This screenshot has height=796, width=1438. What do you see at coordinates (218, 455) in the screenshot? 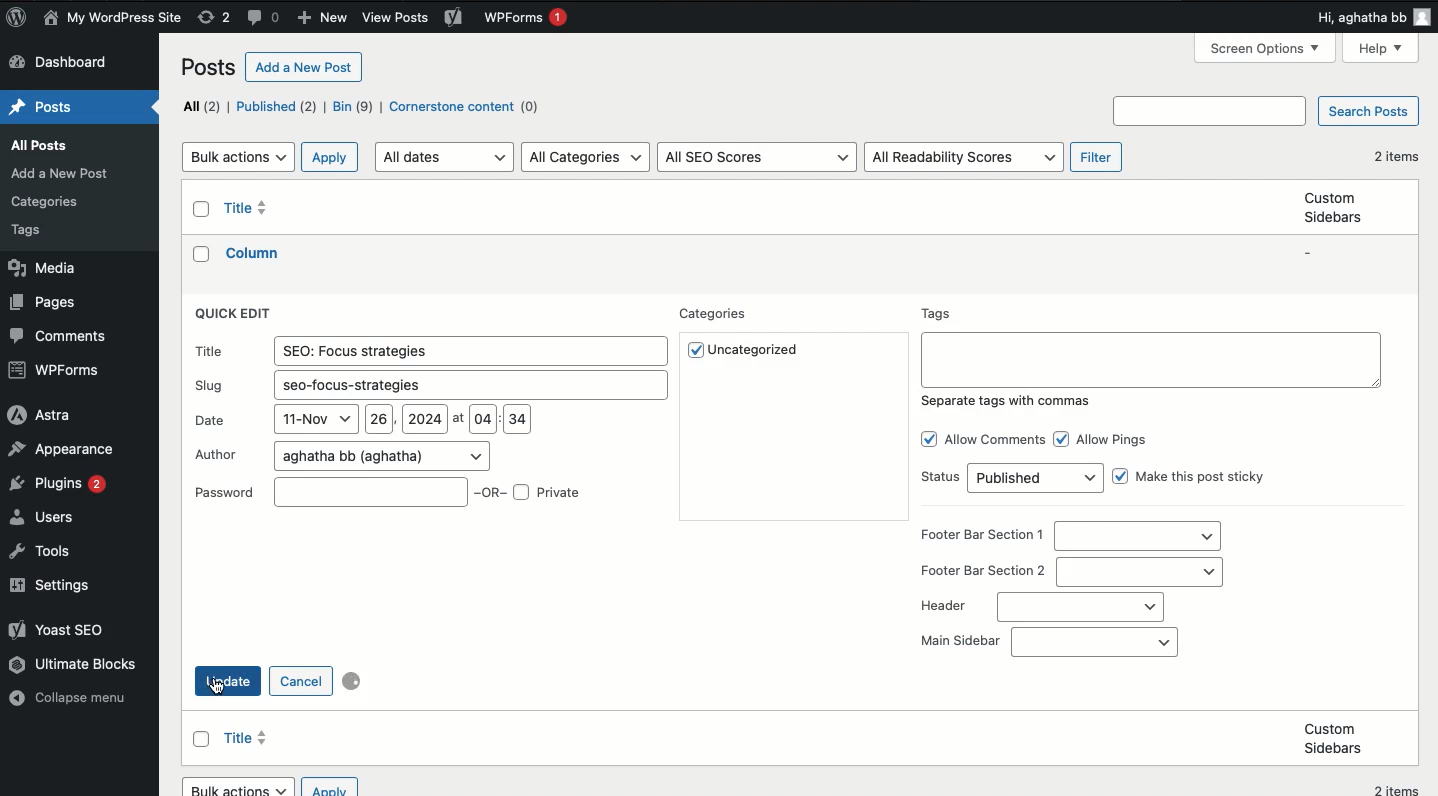
I see `Author` at bounding box center [218, 455].